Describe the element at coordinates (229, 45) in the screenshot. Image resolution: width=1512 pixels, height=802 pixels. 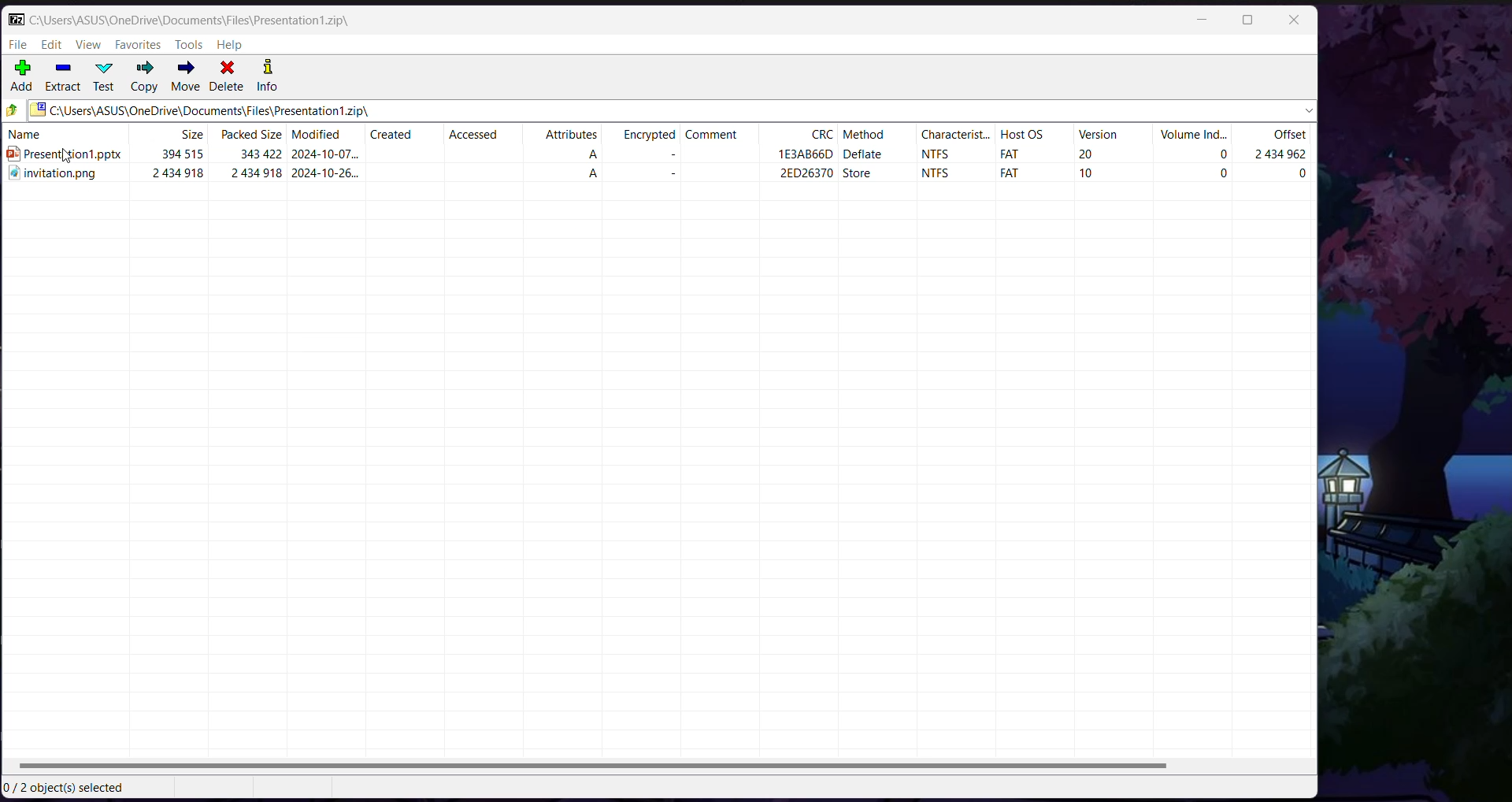
I see `Help` at that location.